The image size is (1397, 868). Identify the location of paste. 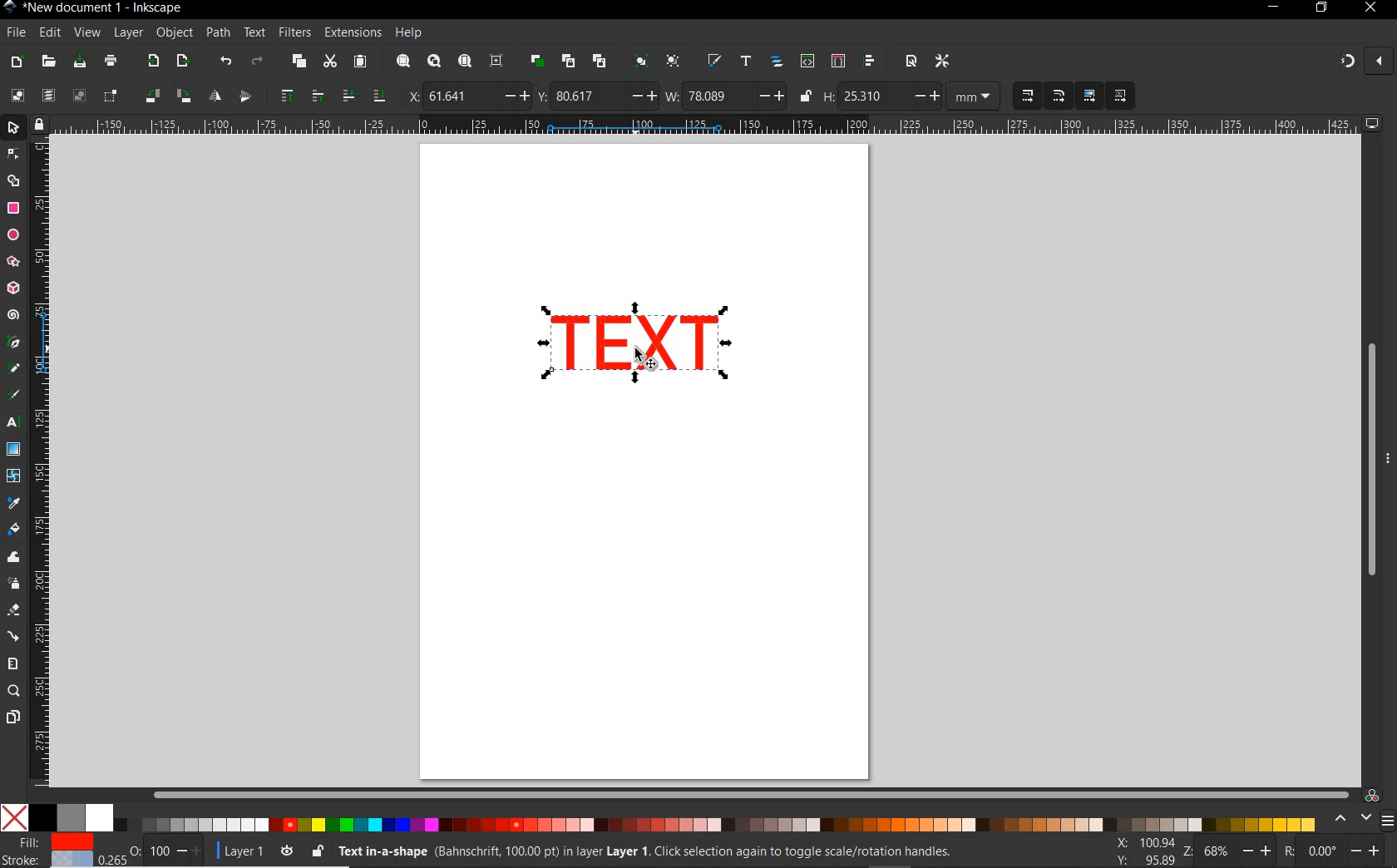
(359, 62).